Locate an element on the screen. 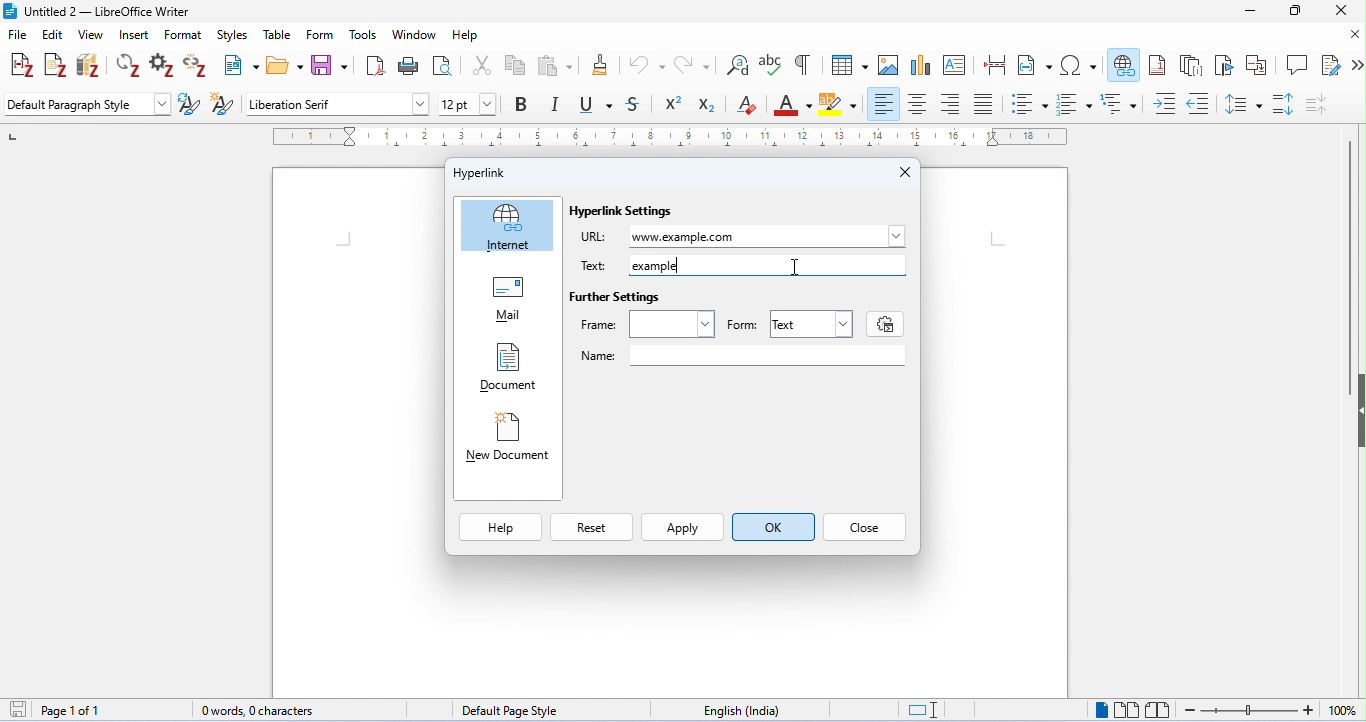  URL: is located at coordinates (596, 233).